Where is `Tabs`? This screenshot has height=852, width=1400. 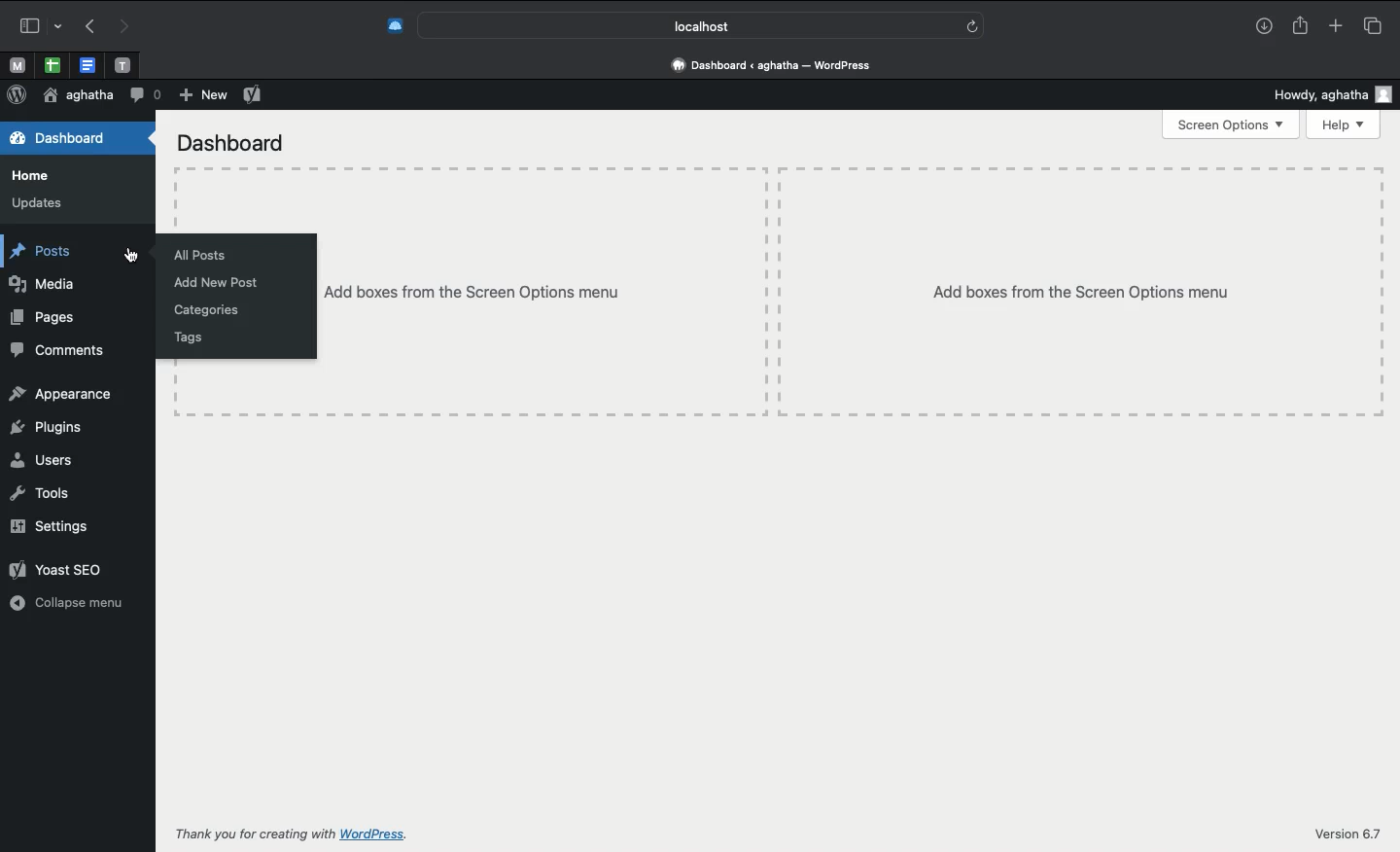
Tabs is located at coordinates (1372, 25).